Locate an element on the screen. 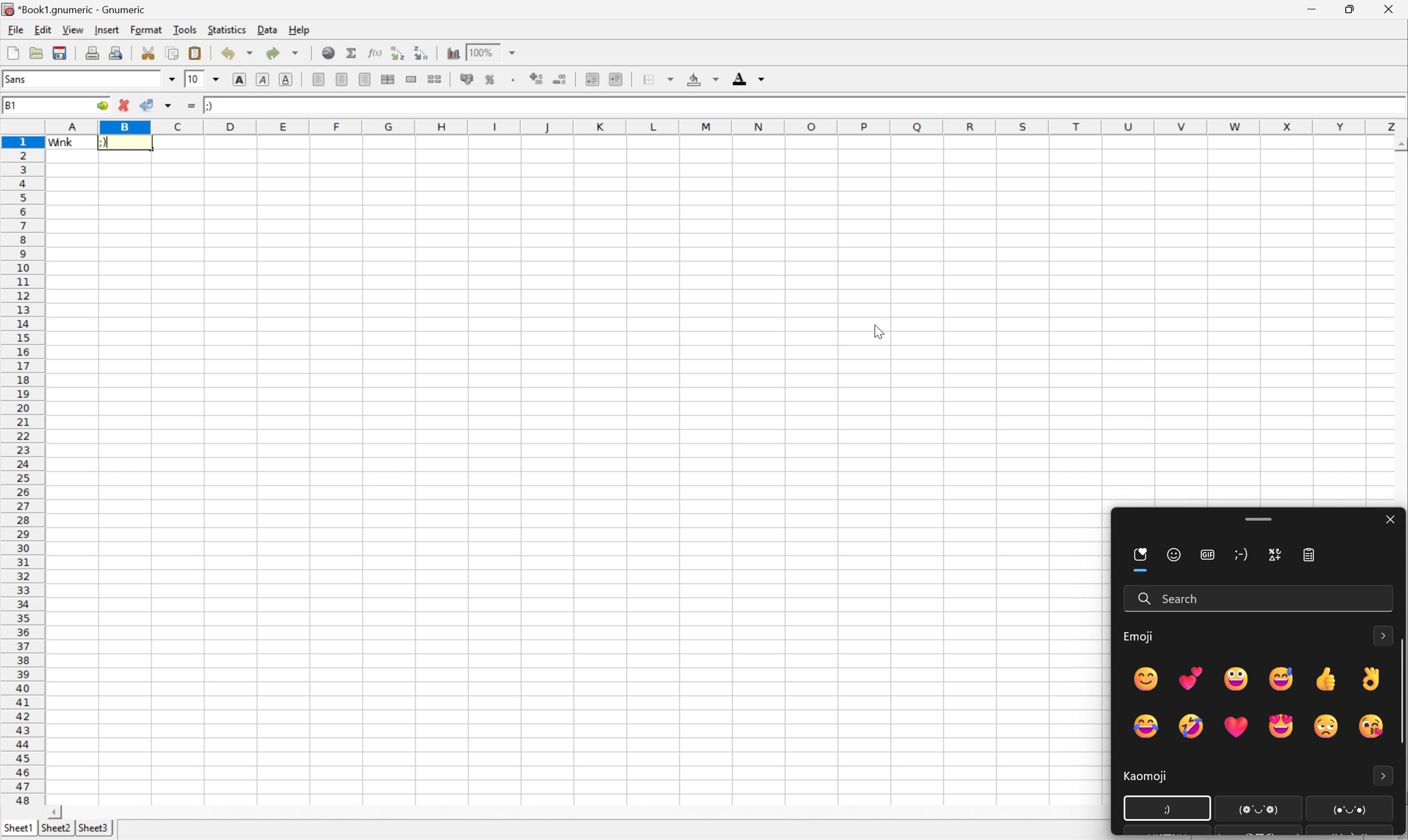 Image resolution: width=1408 pixels, height=840 pixels. foreground is located at coordinates (751, 78).